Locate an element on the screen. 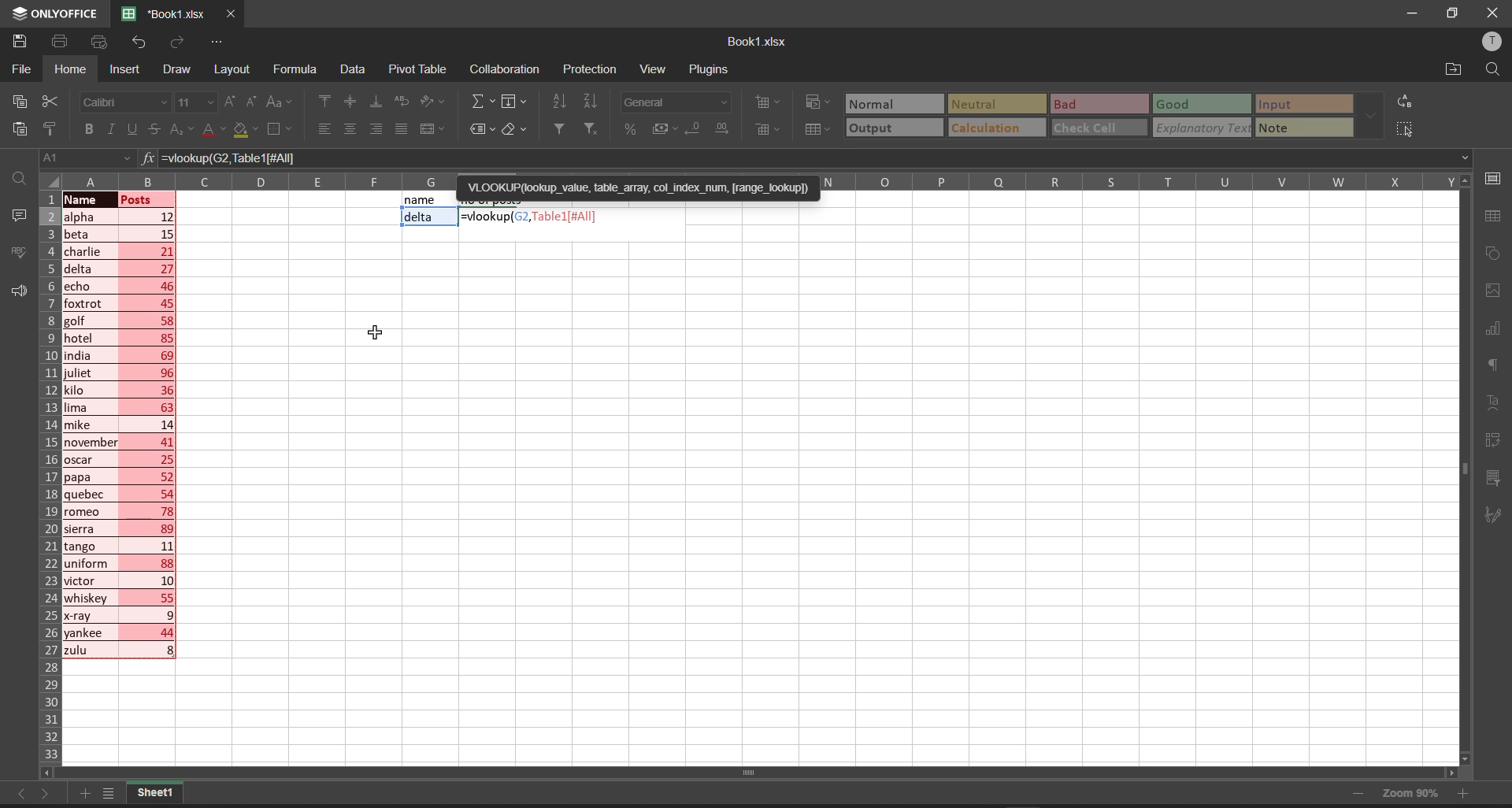 The image size is (1512, 808). named ranges is located at coordinates (481, 130).